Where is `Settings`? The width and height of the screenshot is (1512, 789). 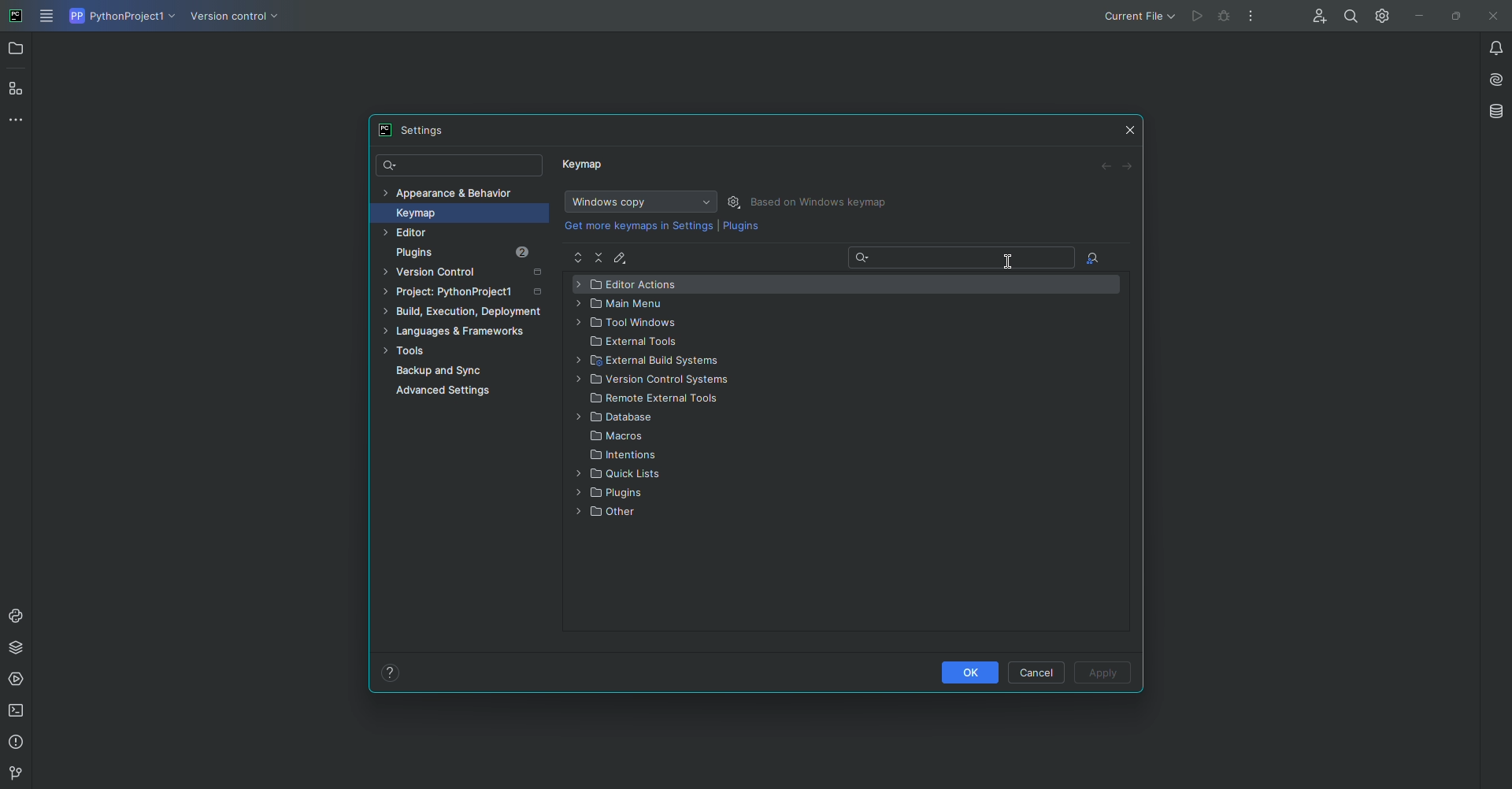 Settings is located at coordinates (736, 202).